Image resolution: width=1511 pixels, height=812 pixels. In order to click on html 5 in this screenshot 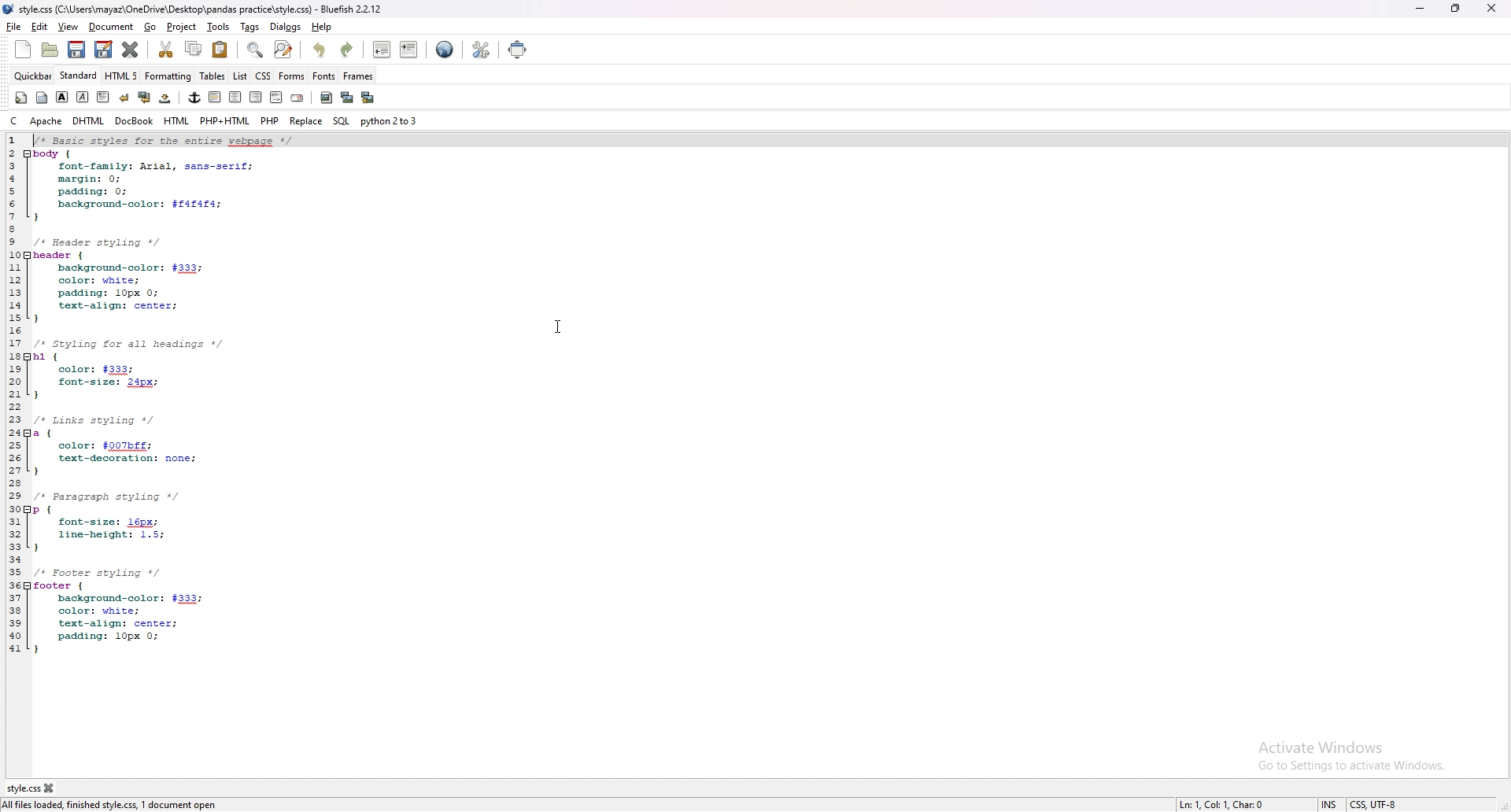, I will do `click(121, 76)`.